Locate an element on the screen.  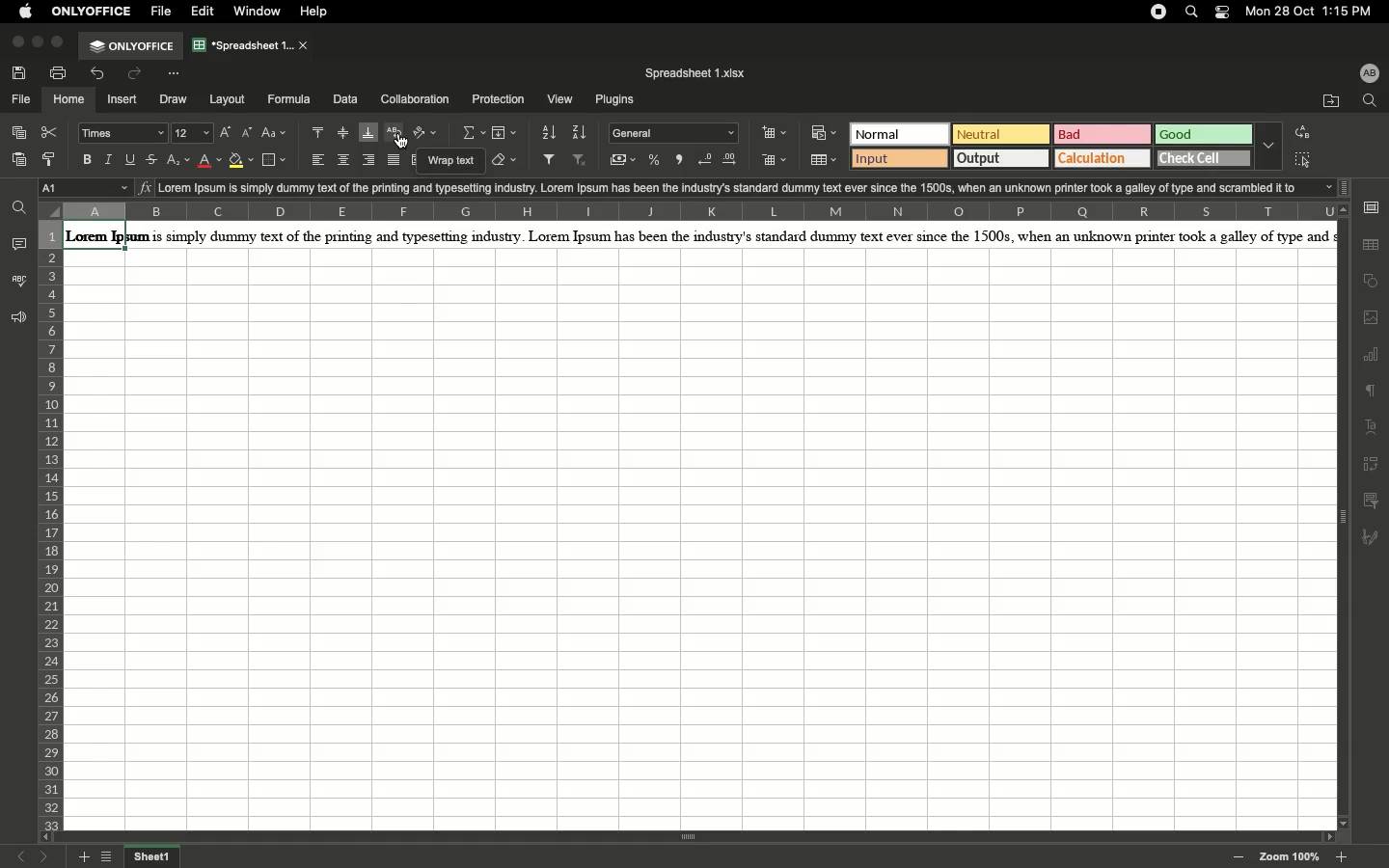
Guide text is located at coordinates (450, 160).